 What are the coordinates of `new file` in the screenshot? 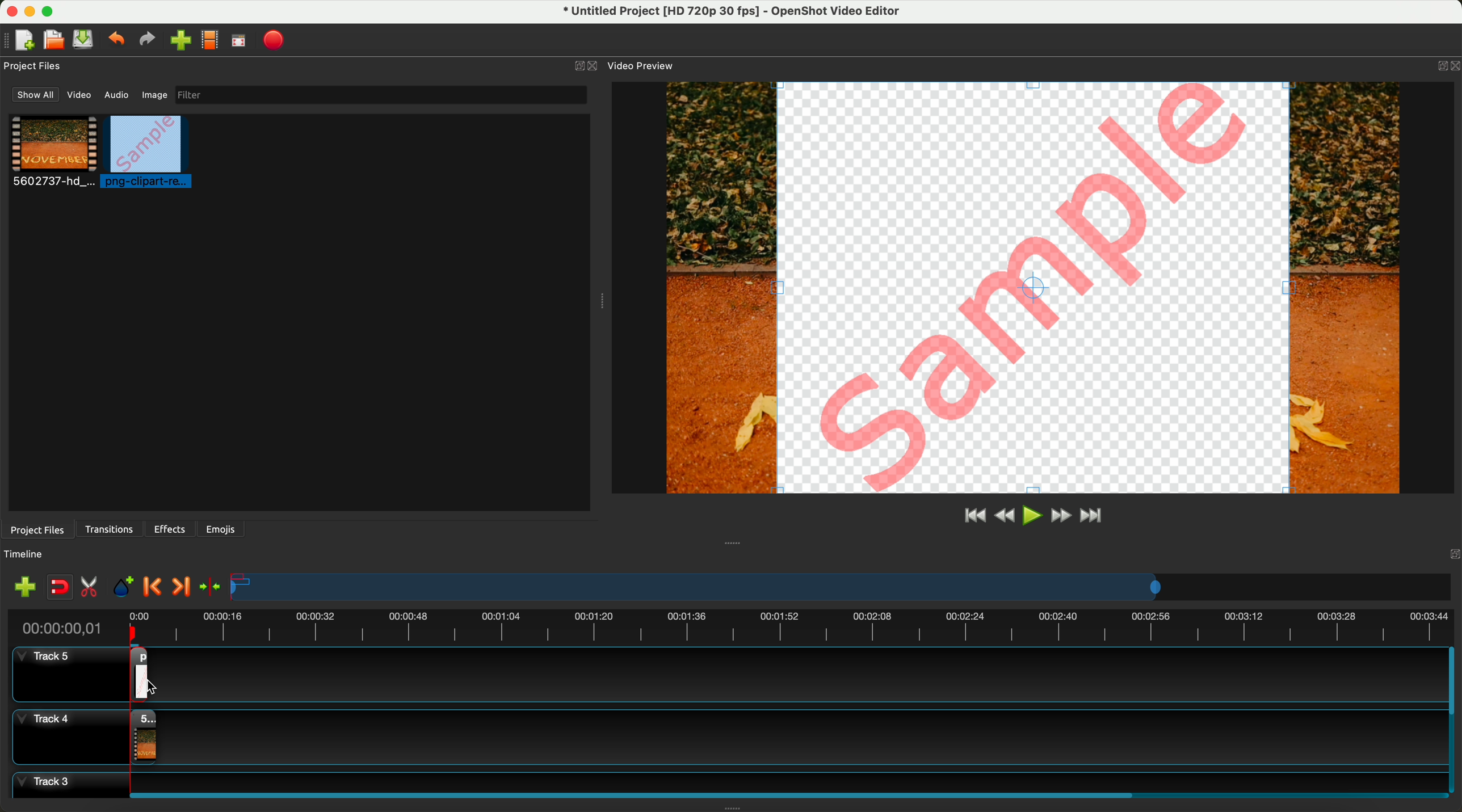 It's located at (21, 40).